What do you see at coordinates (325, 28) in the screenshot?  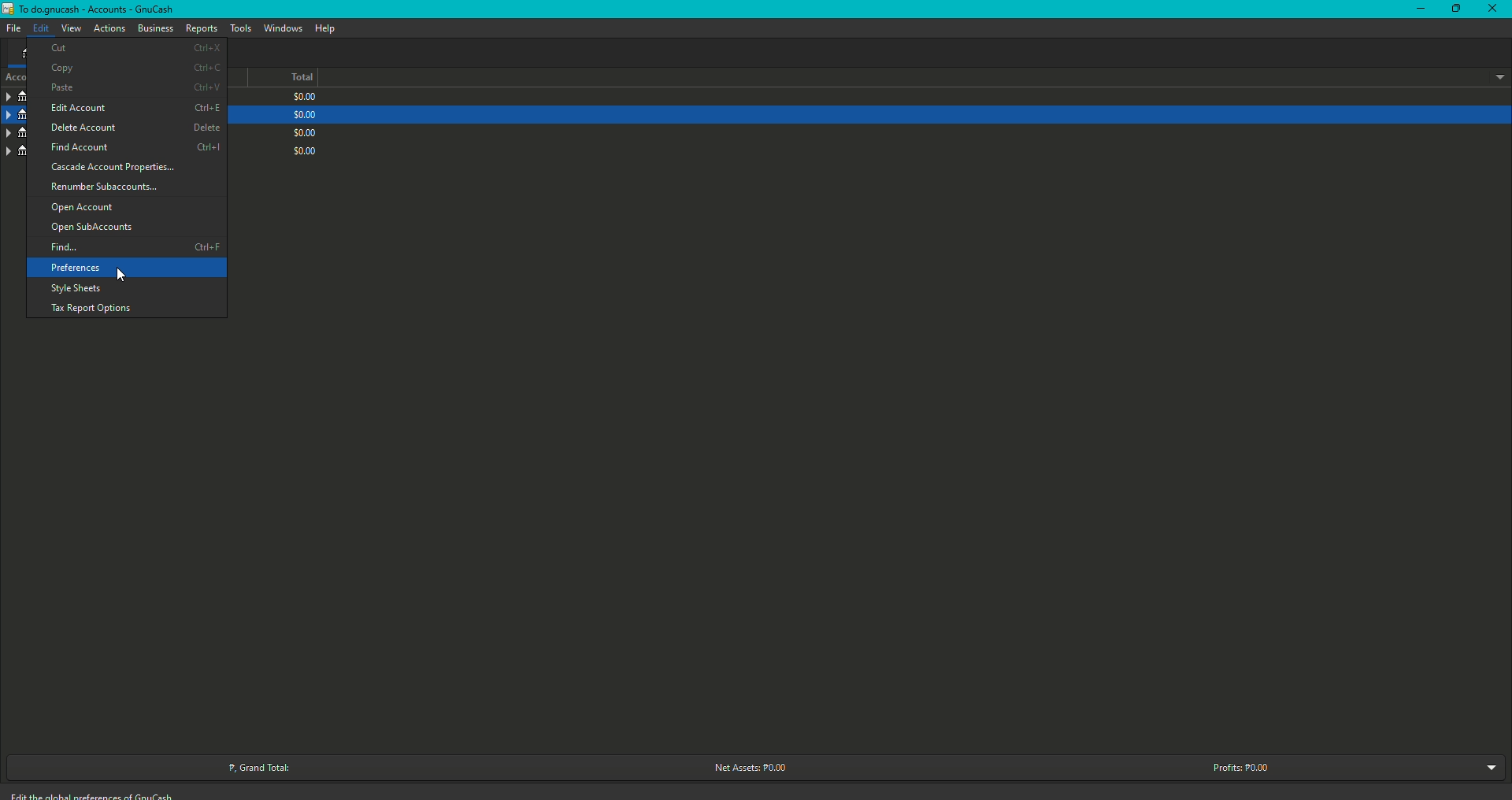 I see `Help` at bounding box center [325, 28].